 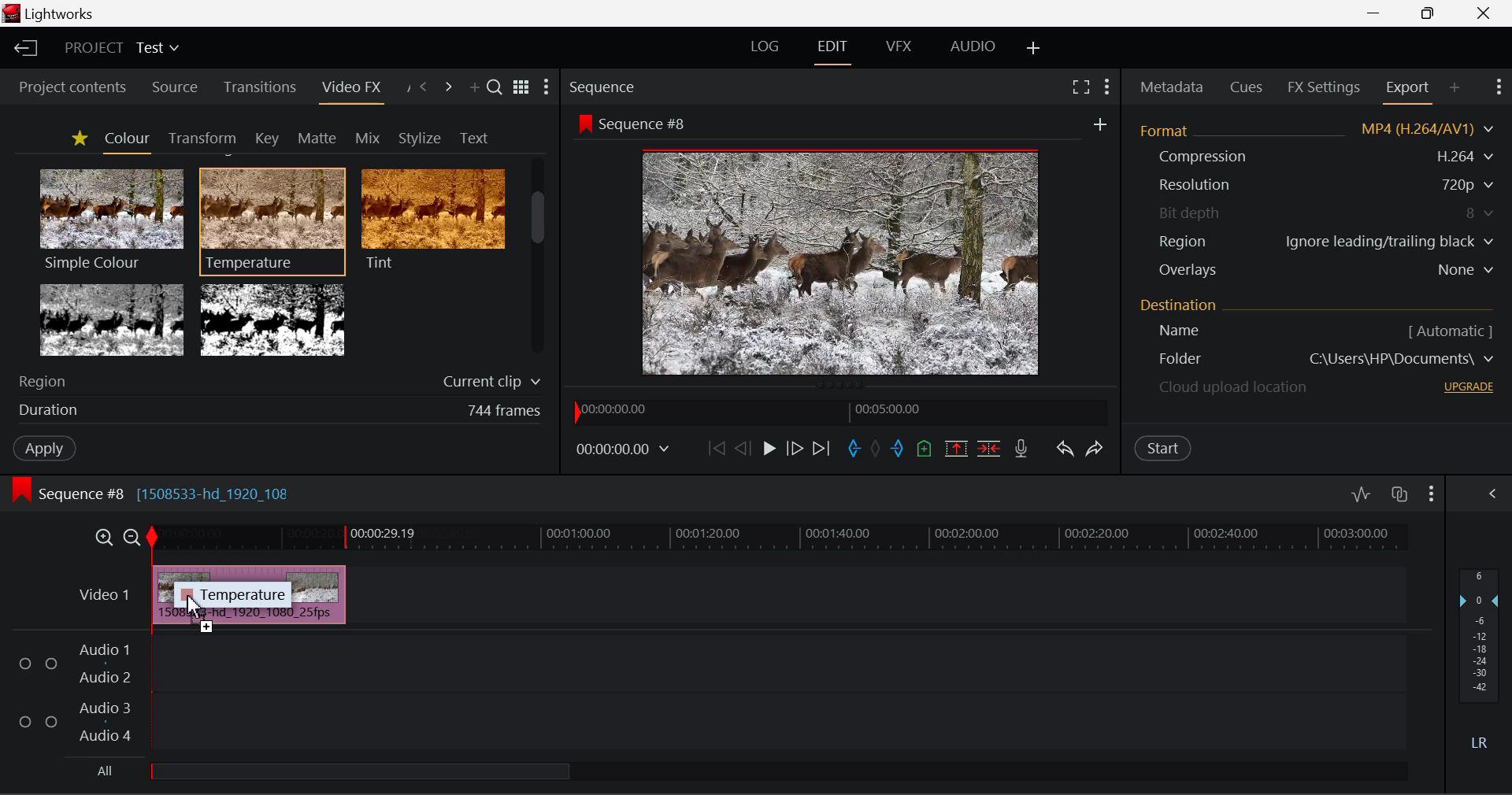 What do you see at coordinates (1191, 210) in the screenshot?
I see `Bit depth` at bounding box center [1191, 210].